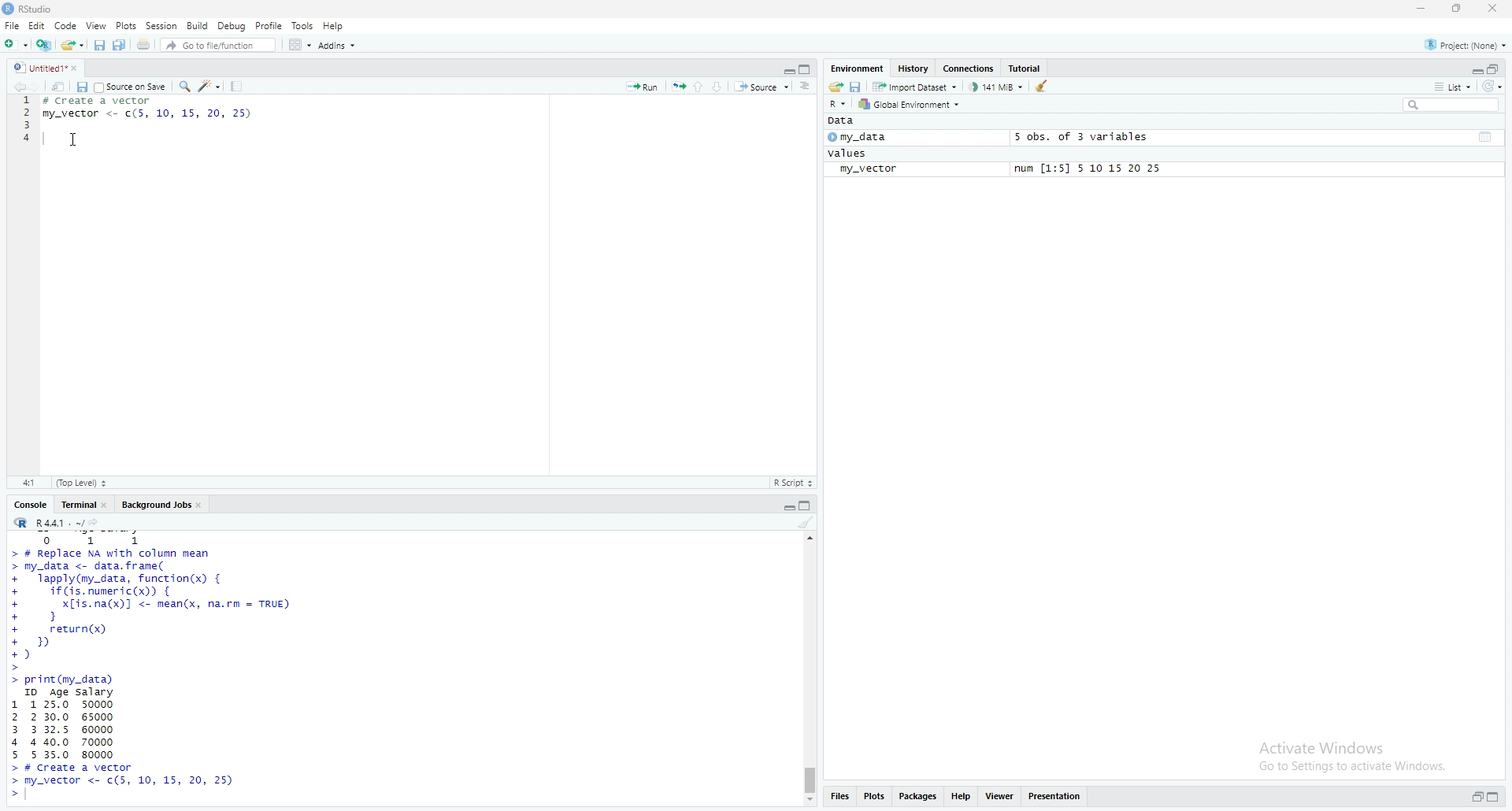 Image resolution: width=1512 pixels, height=811 pixels. What do you see at coordinates (1495, 796) in the screenshot?
I see `collapse` at bounding box center [1495, 796].